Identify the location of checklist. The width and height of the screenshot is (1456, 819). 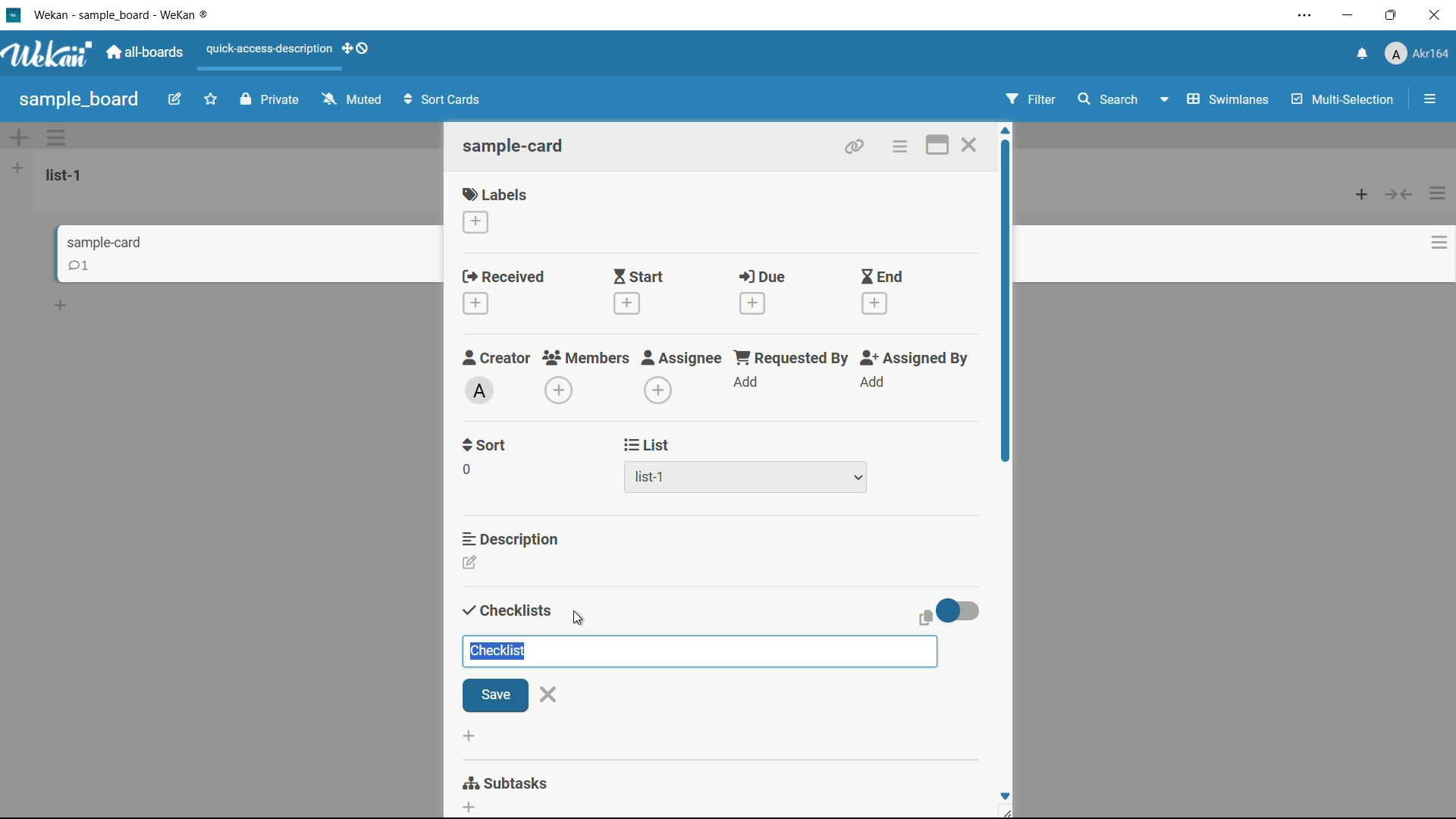
(497, 651).